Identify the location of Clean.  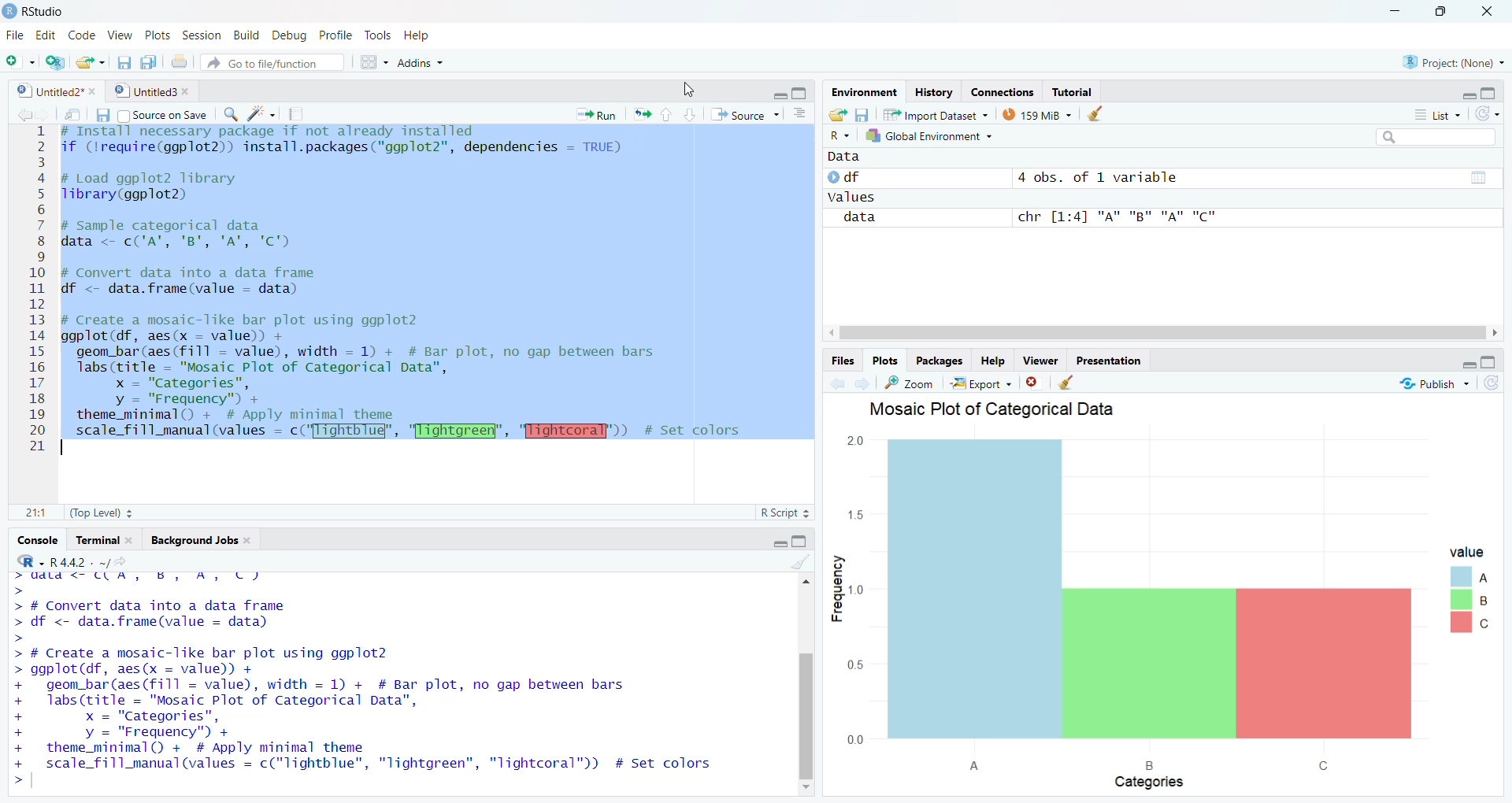
(1067, 383).